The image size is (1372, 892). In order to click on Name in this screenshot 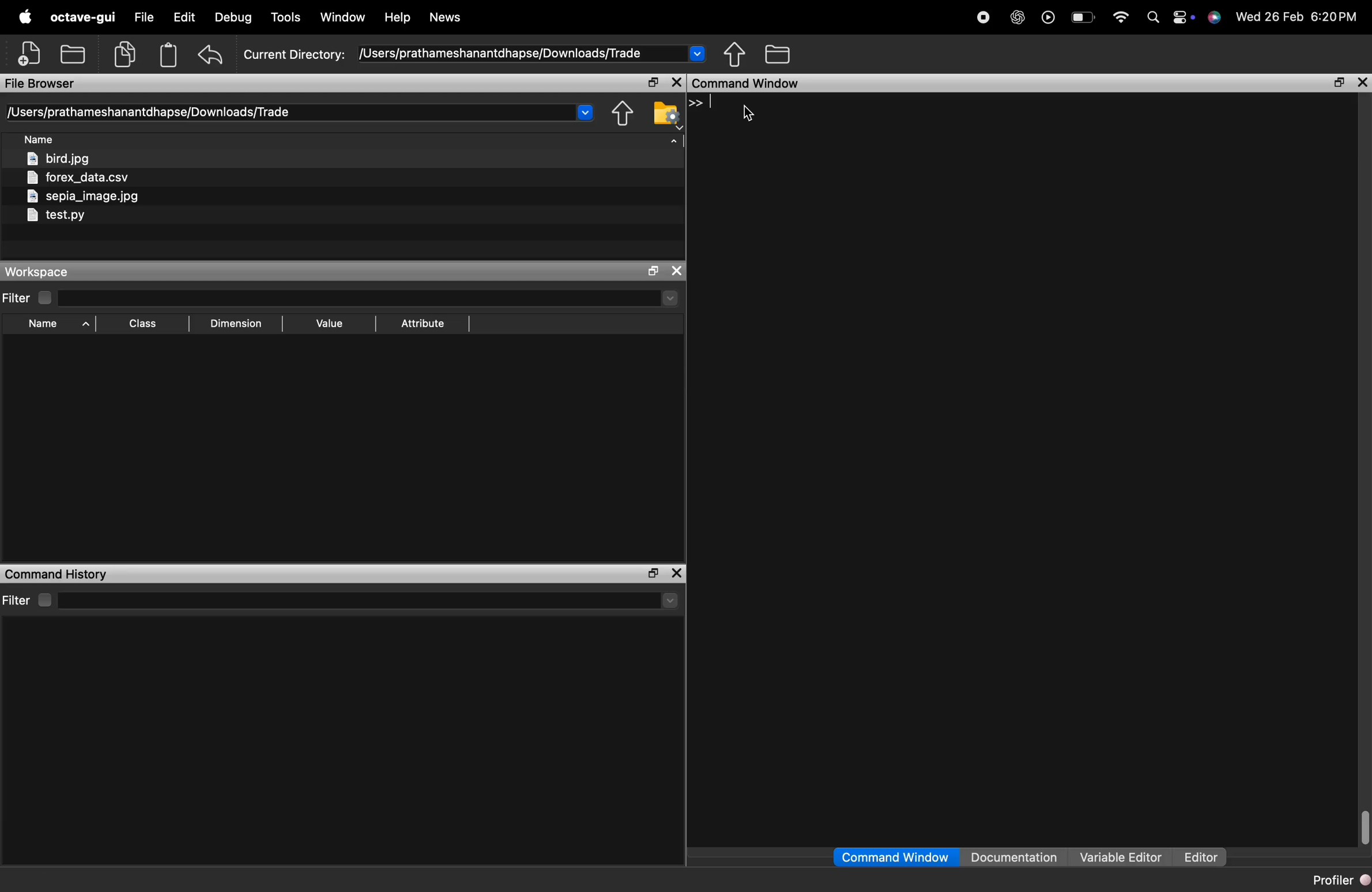, I will do `click(41, 140)`.